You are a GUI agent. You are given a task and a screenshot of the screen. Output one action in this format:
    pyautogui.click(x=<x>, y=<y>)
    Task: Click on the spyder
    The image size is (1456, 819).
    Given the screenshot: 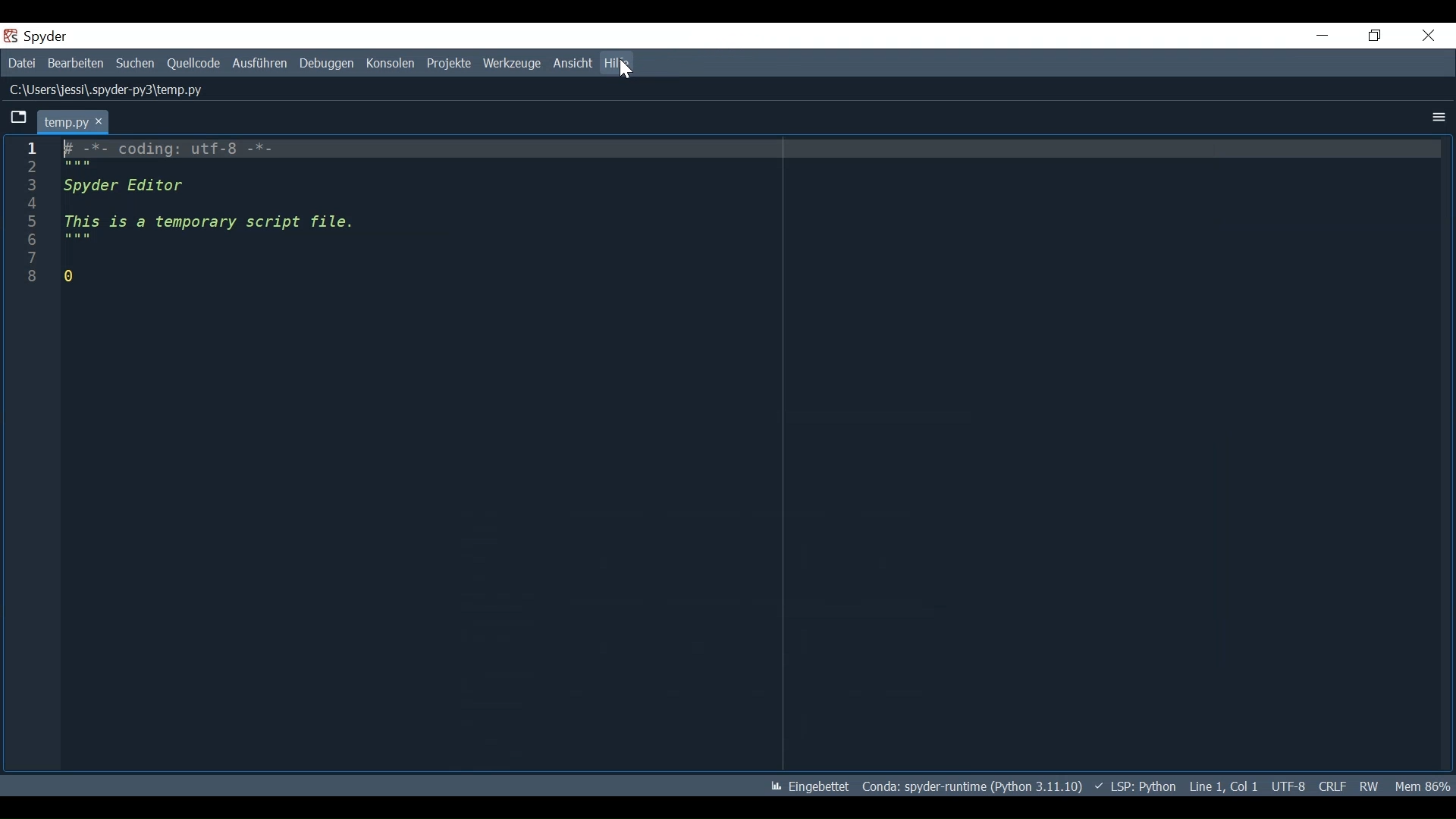 What is the action you would take?
    pyautogui.click(x=45, y=36)
    